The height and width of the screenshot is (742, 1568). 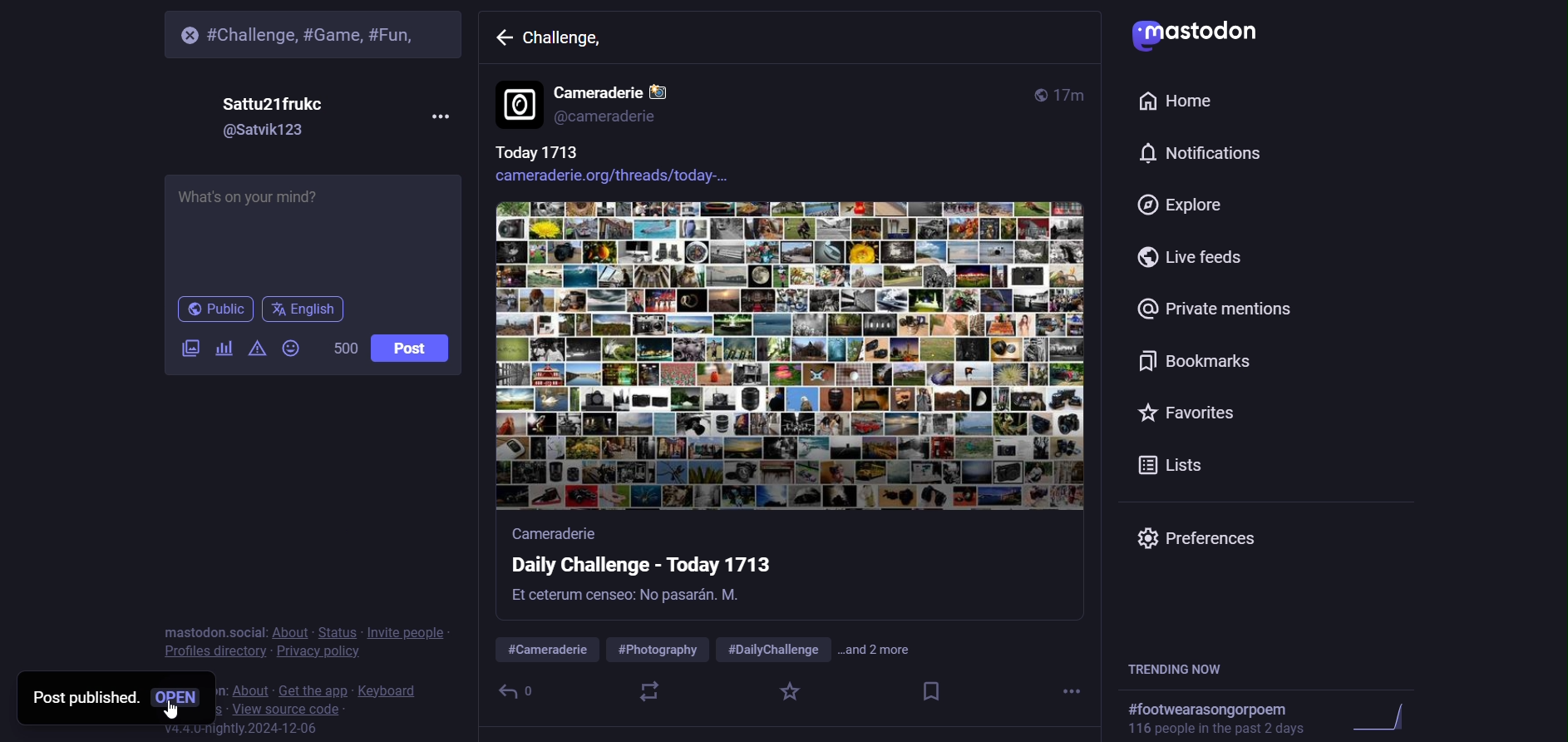 What do you see at coordinates (279, 708) in the screenshot?
I see `view source code` at bounding box center [279, 708].